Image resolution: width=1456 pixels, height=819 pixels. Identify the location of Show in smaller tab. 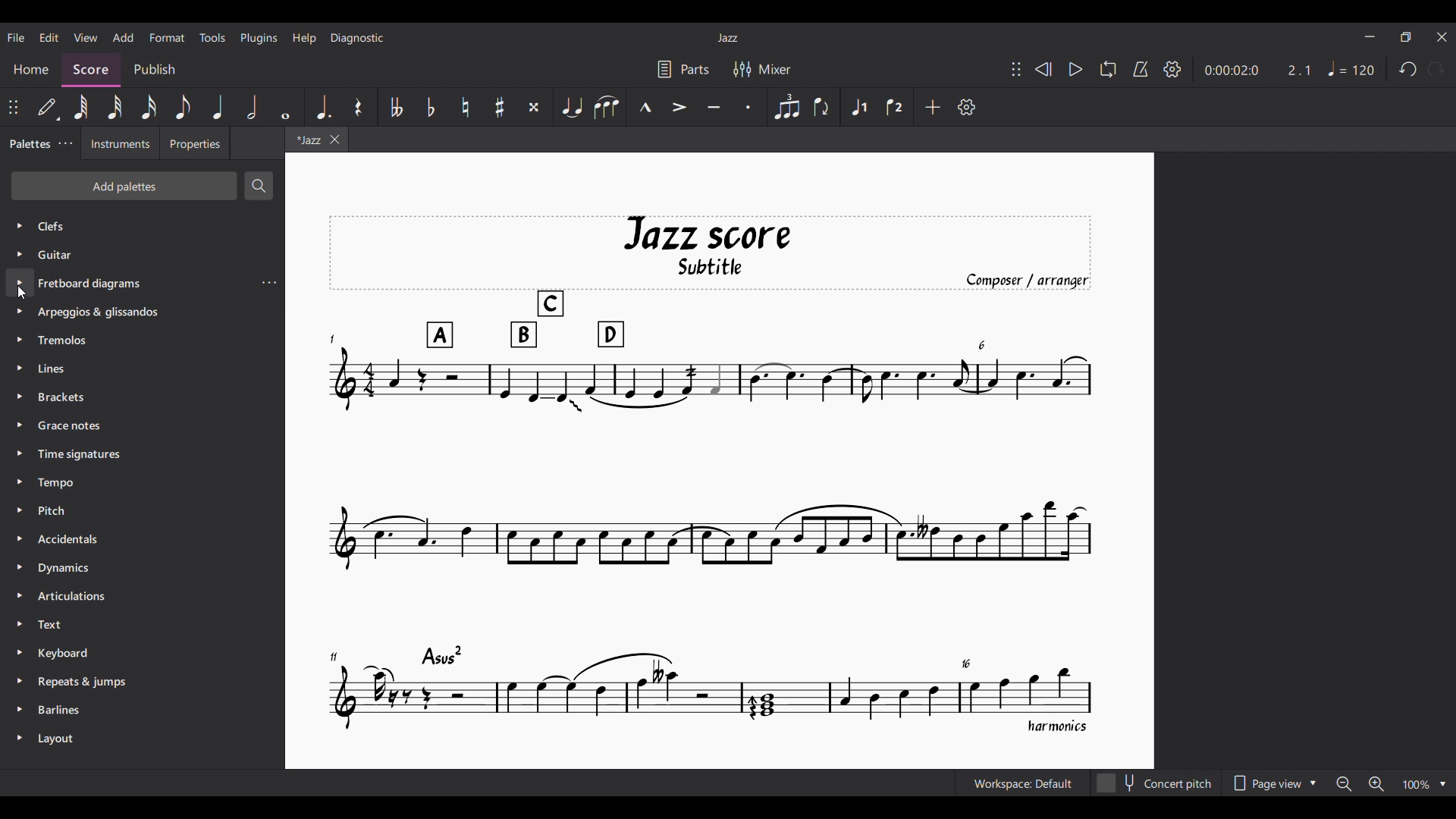
(1406, 37).